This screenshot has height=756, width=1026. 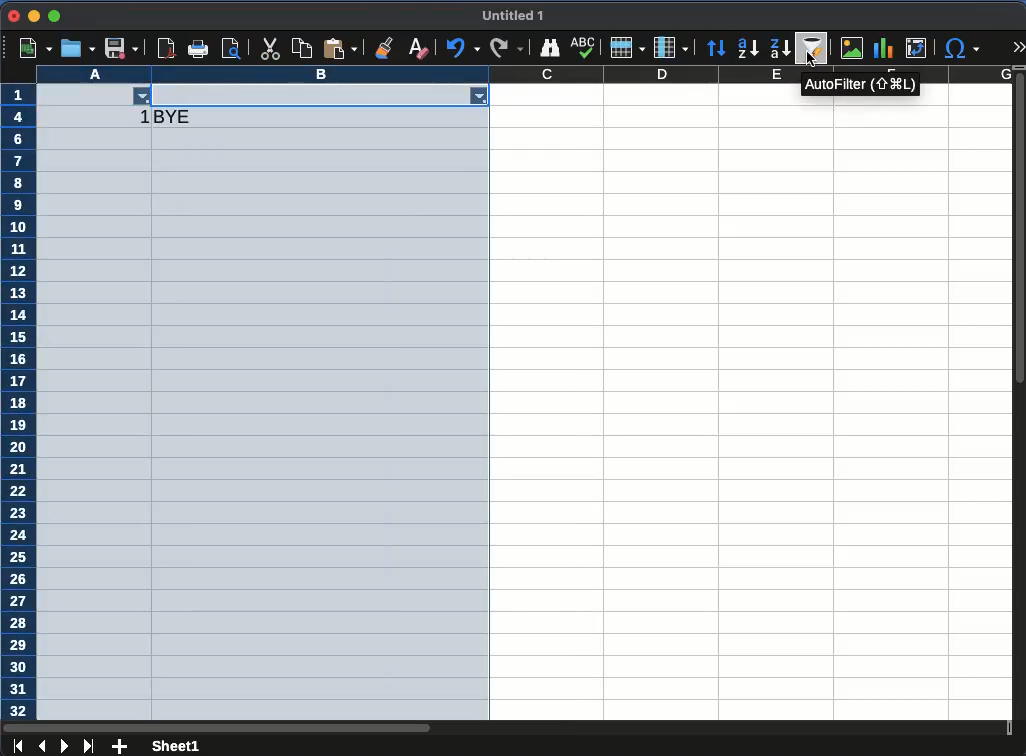 What do you see at coordinates (514, 15) in the screenshot?
I see `untitled 1` at bounding box center [514, 15].